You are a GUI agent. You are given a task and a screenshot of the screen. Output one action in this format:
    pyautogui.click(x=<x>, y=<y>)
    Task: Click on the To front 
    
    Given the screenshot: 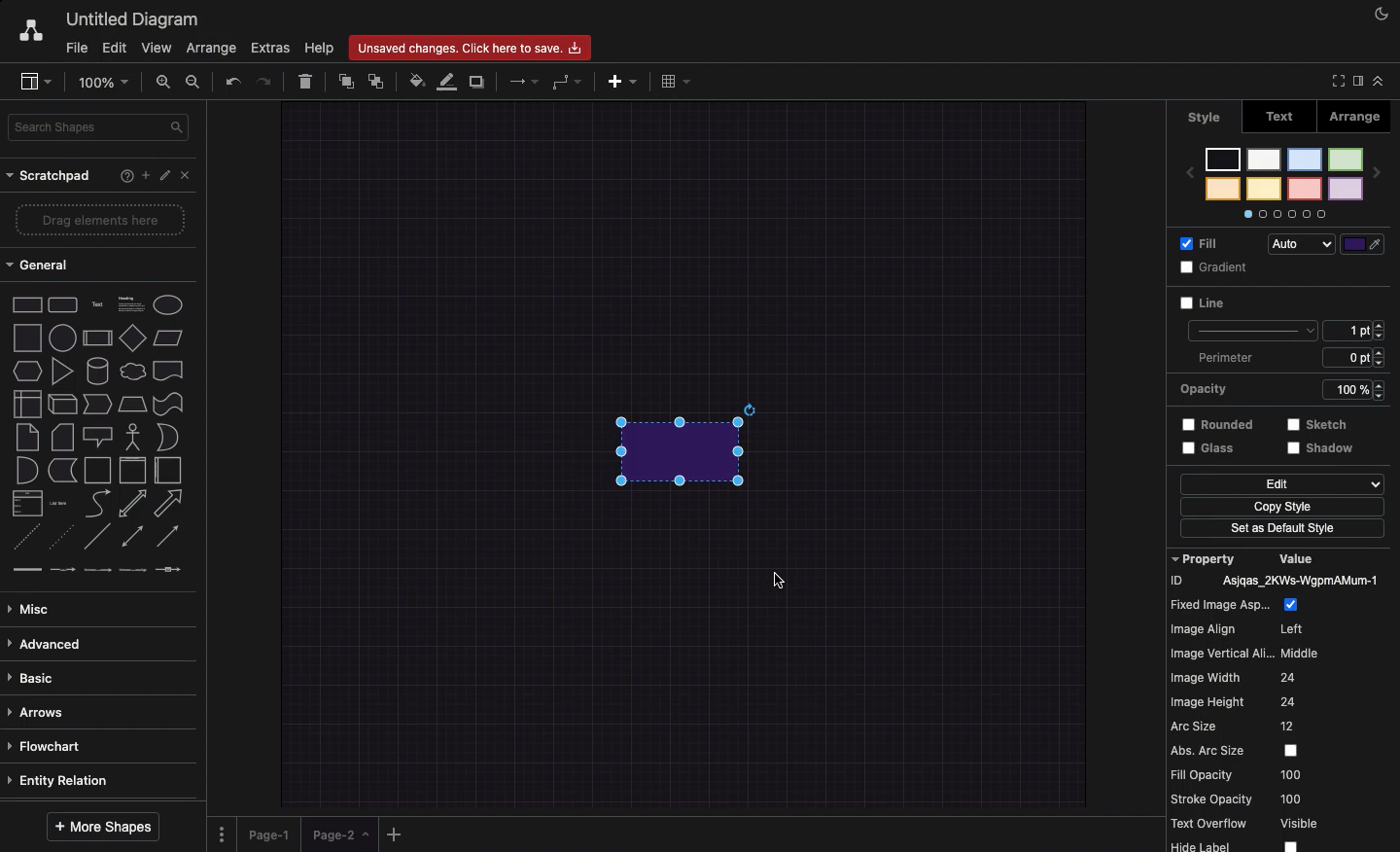 What is the action you would take?
    pyautogui.click(x=345, y=79)
    